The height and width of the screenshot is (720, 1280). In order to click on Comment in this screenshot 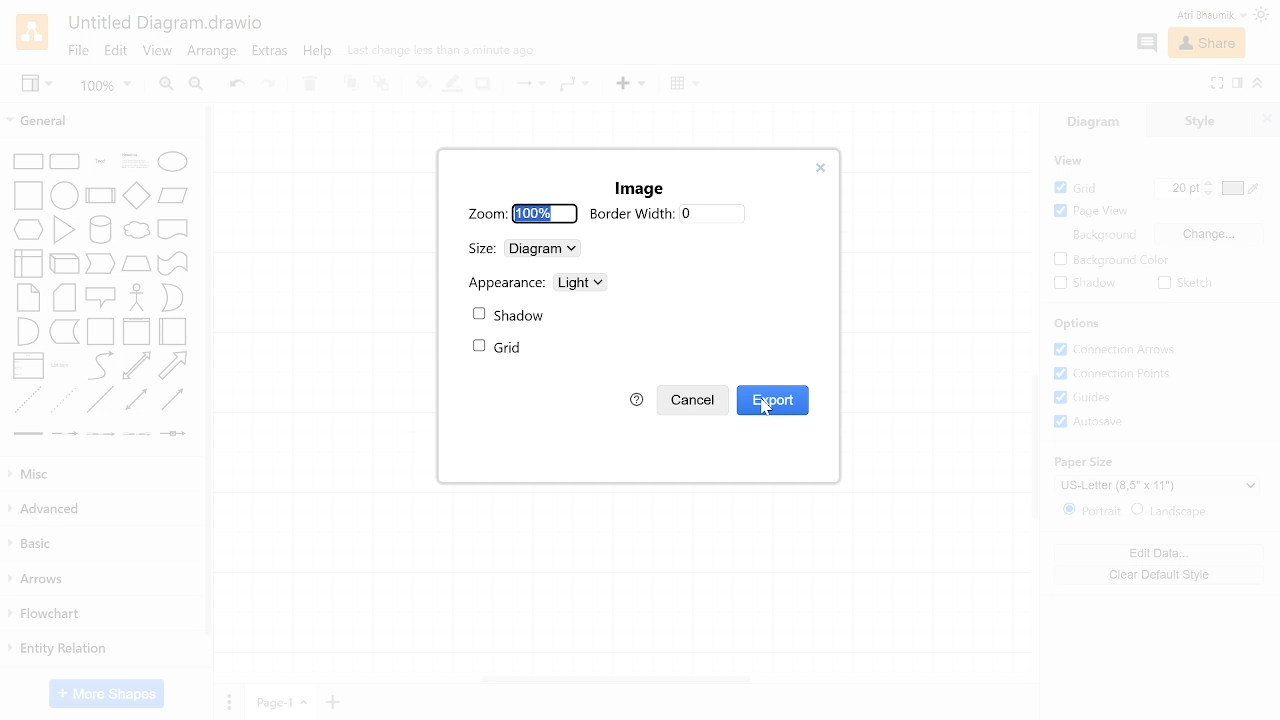, I will do `click(1149, 44)`.